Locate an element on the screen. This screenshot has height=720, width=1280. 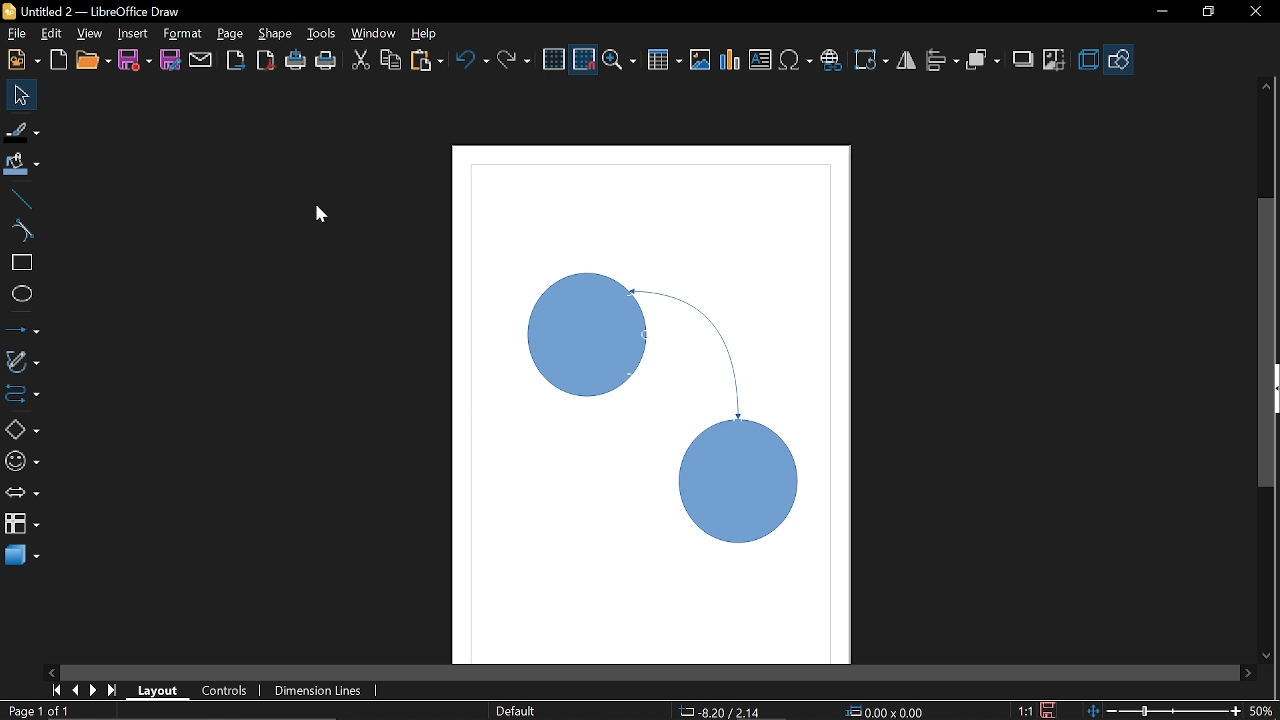
Rotate is located at coordinates (872, 58).